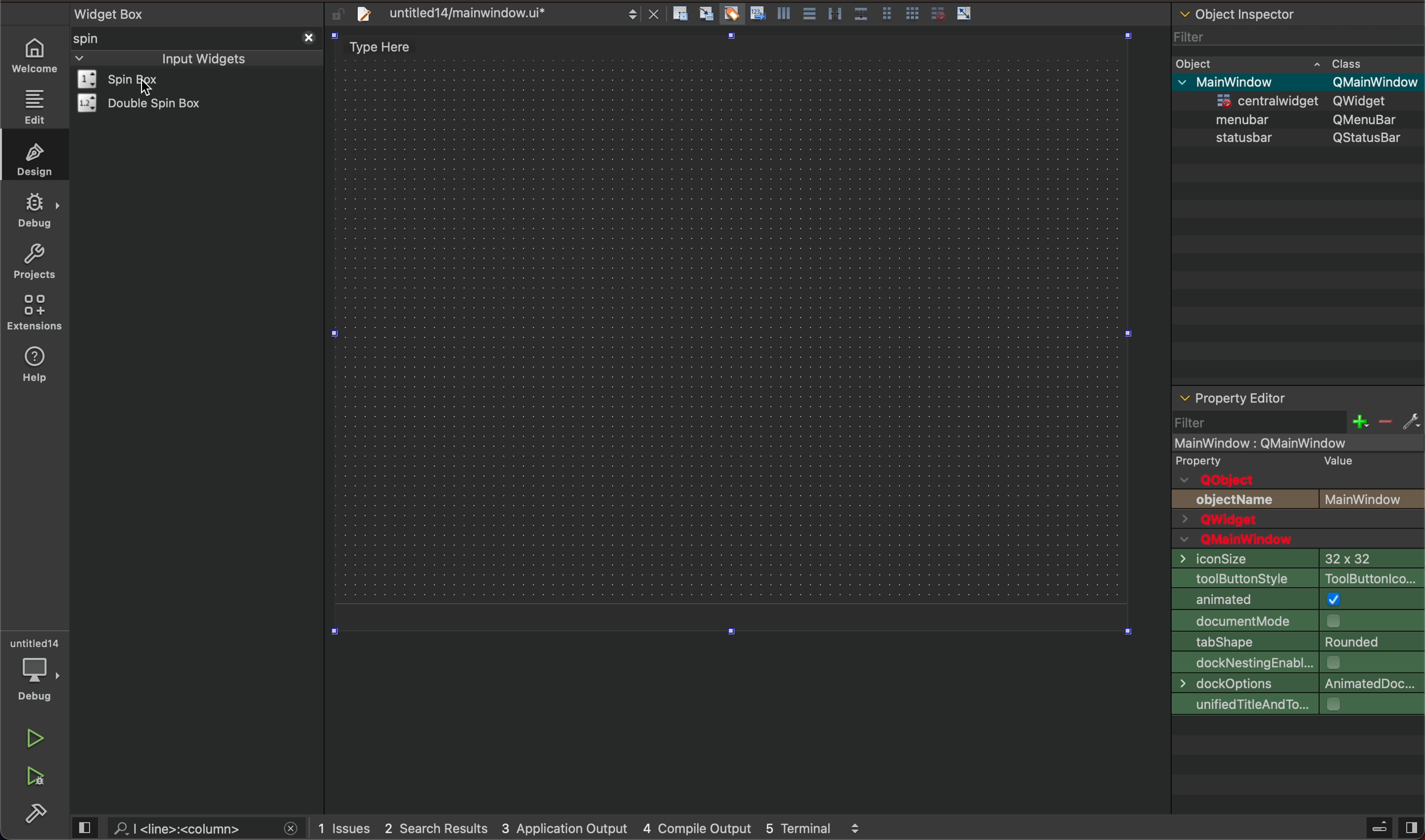 Image resolution: width=1425 pixels, height=840 pixels. I want to click on , so click(1265, 98).